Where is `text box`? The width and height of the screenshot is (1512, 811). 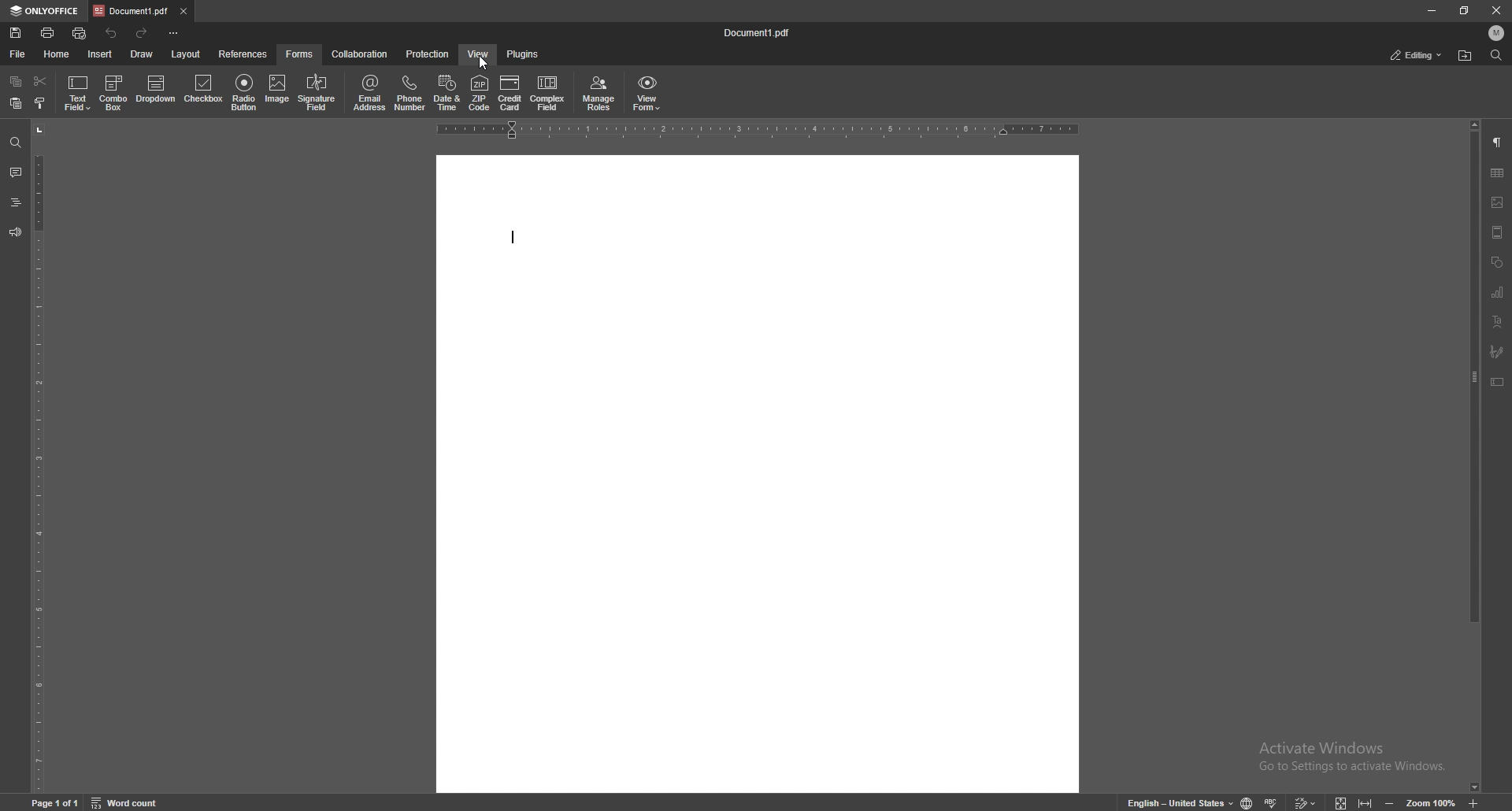
text box is located at coordinates (1498, 381).